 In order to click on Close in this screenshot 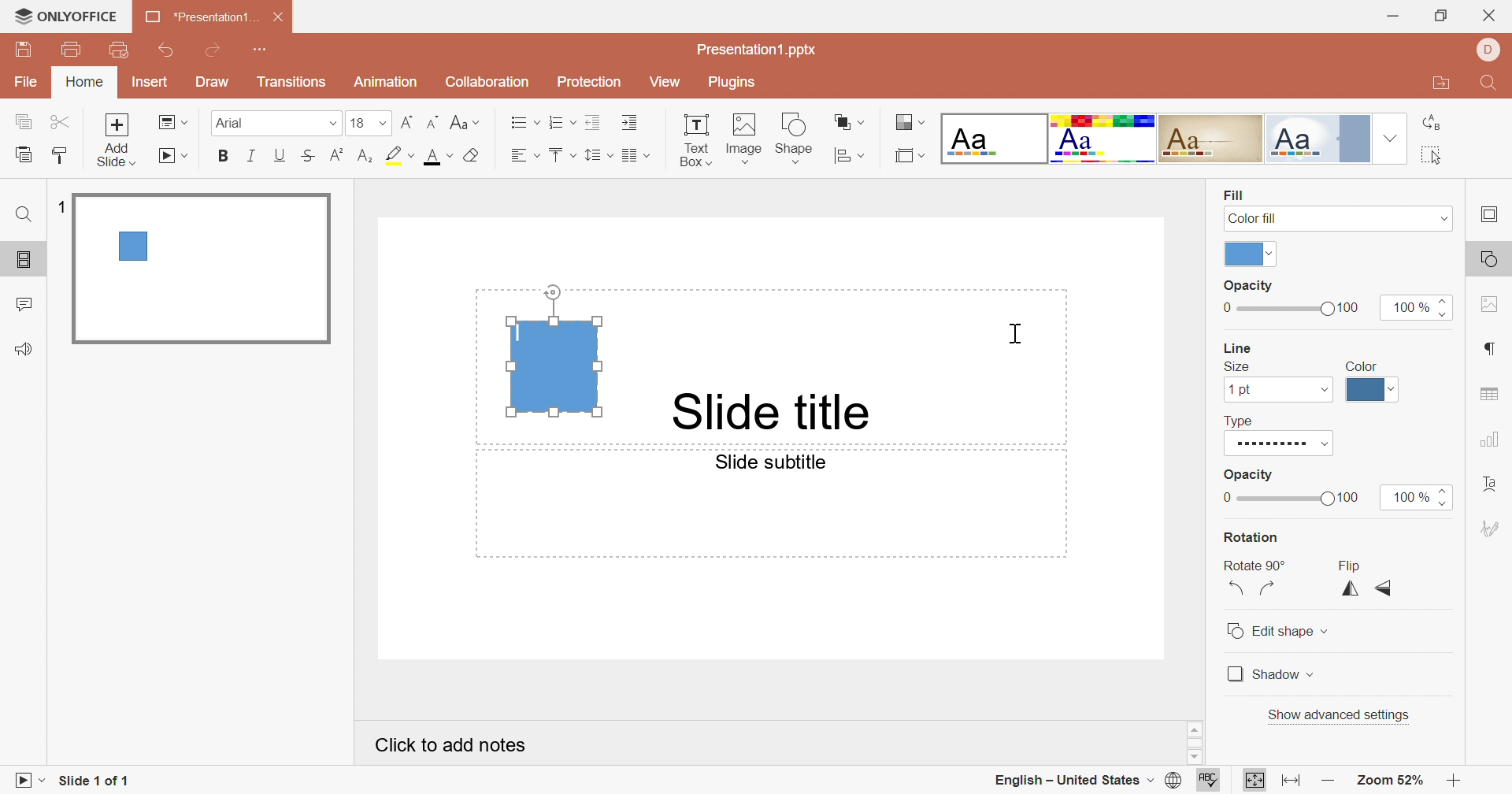, I will do `click(1490, 16)`.